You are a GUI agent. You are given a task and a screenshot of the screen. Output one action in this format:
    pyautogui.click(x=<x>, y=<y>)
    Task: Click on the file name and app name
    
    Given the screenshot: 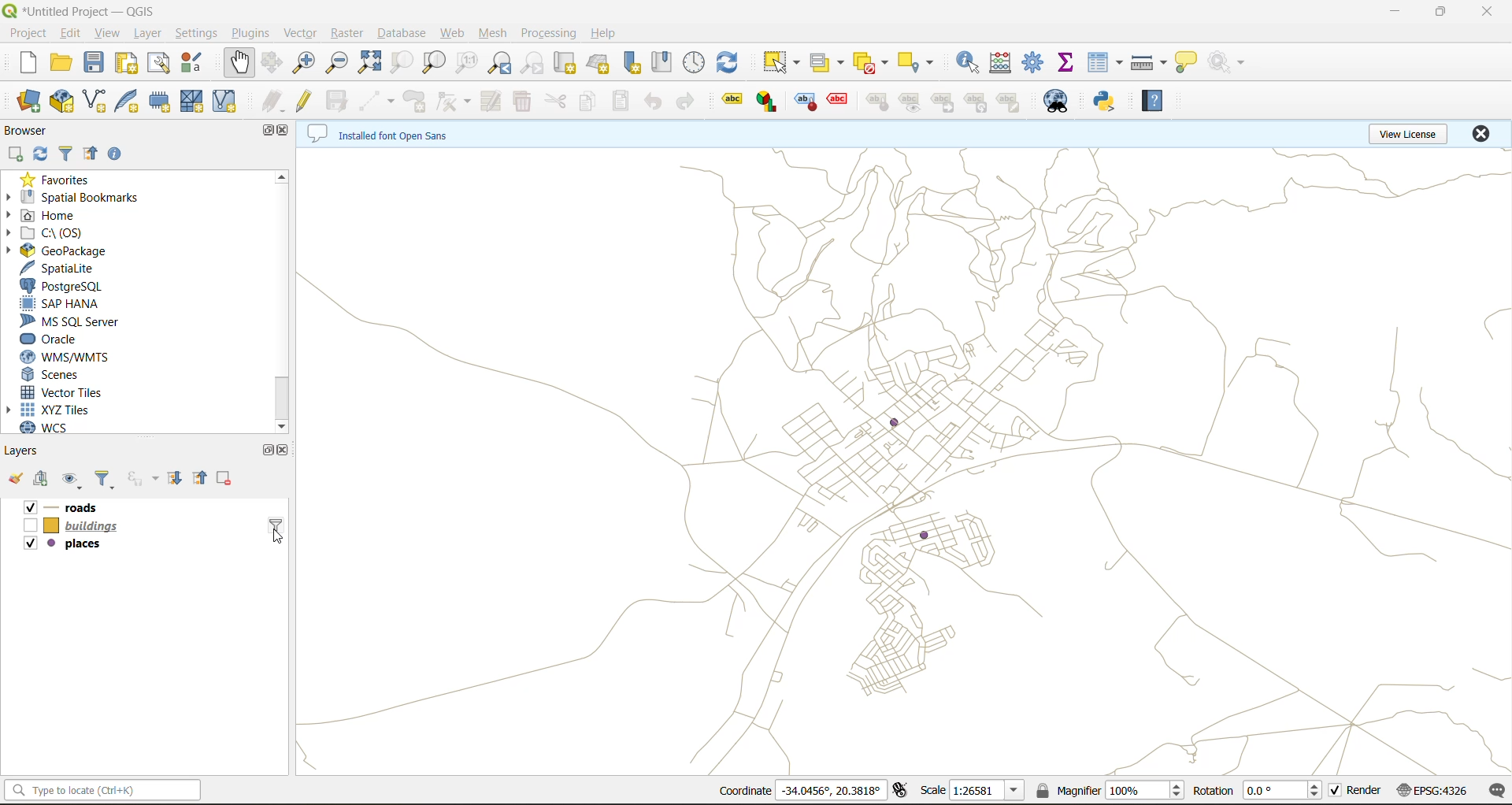 What is the action you would take?
    pyautogui.click(x=86, y=9)
    